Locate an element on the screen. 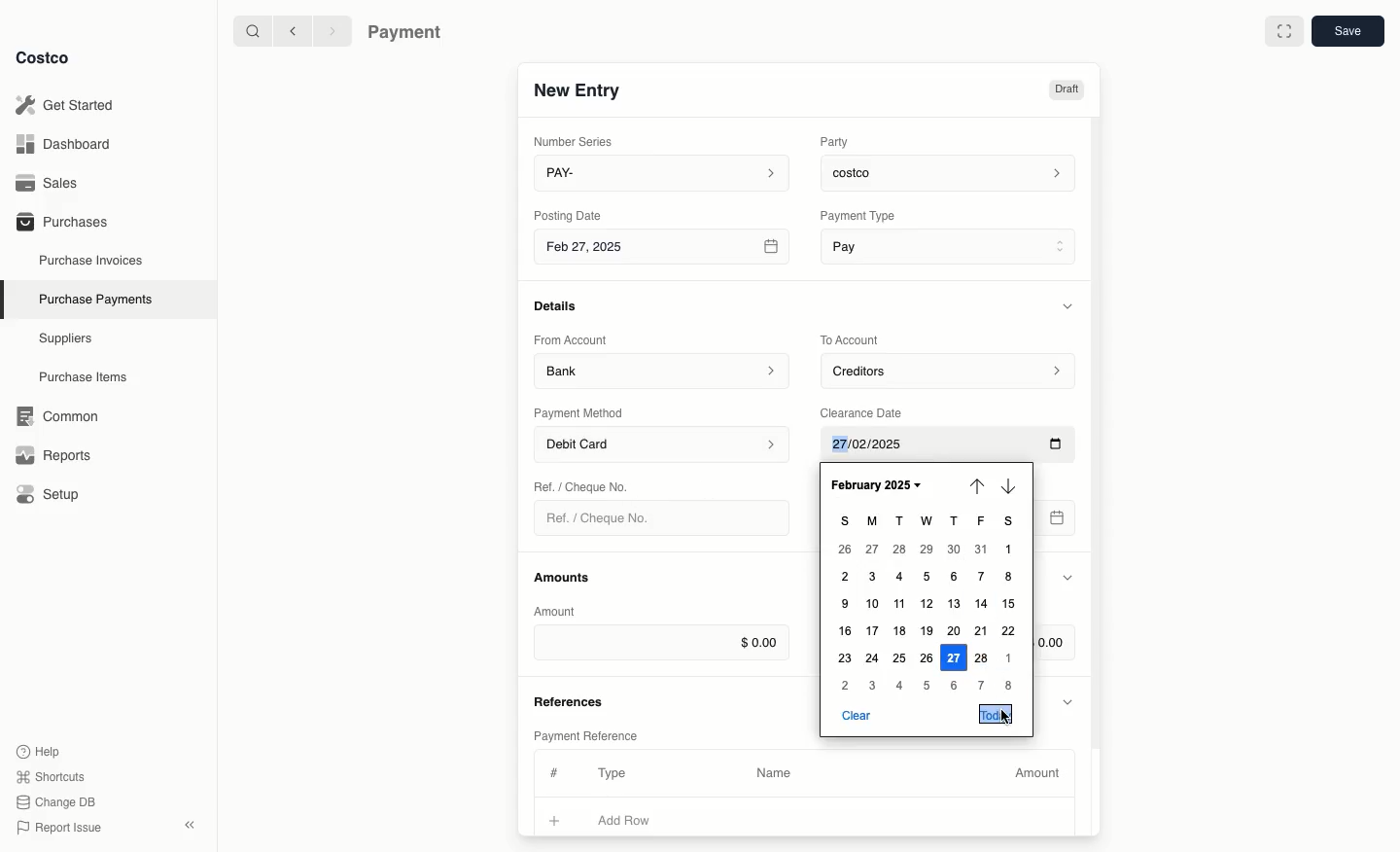  From Account is located at coordinates (571, 339).